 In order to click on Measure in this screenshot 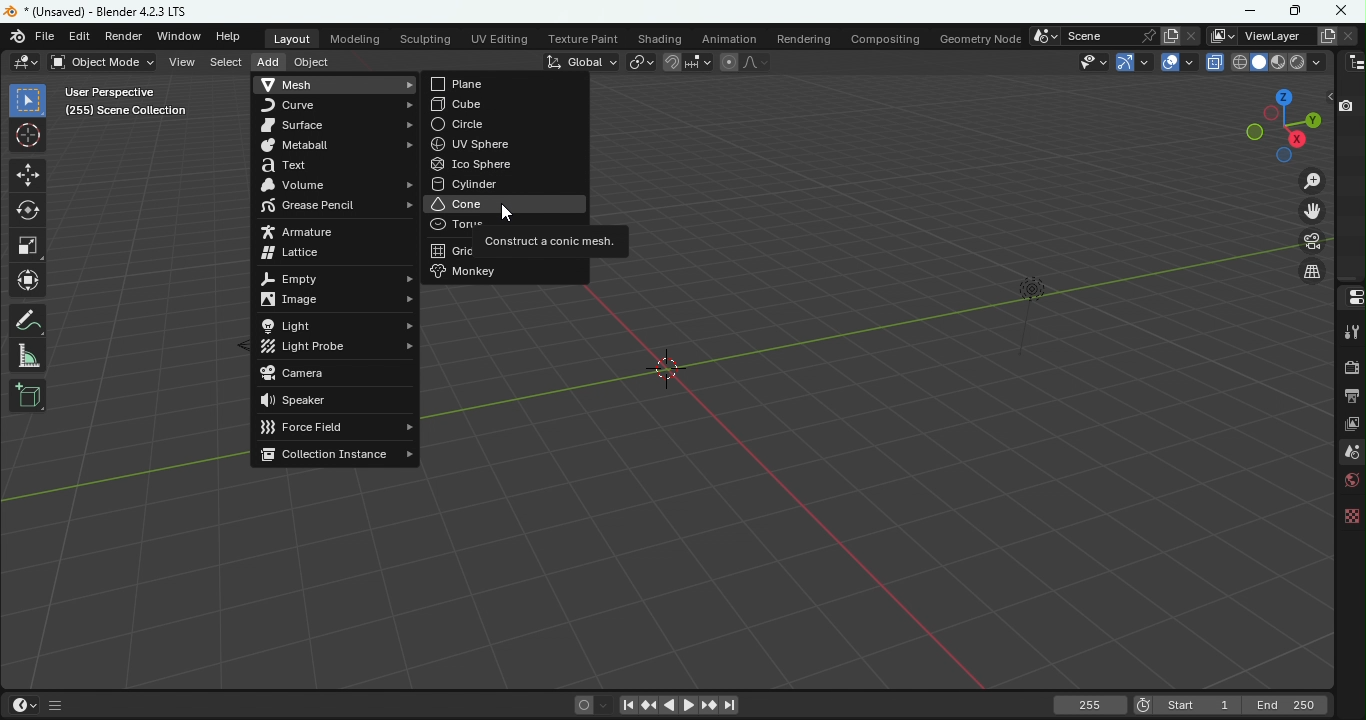, I will do `click(31, 354)`.